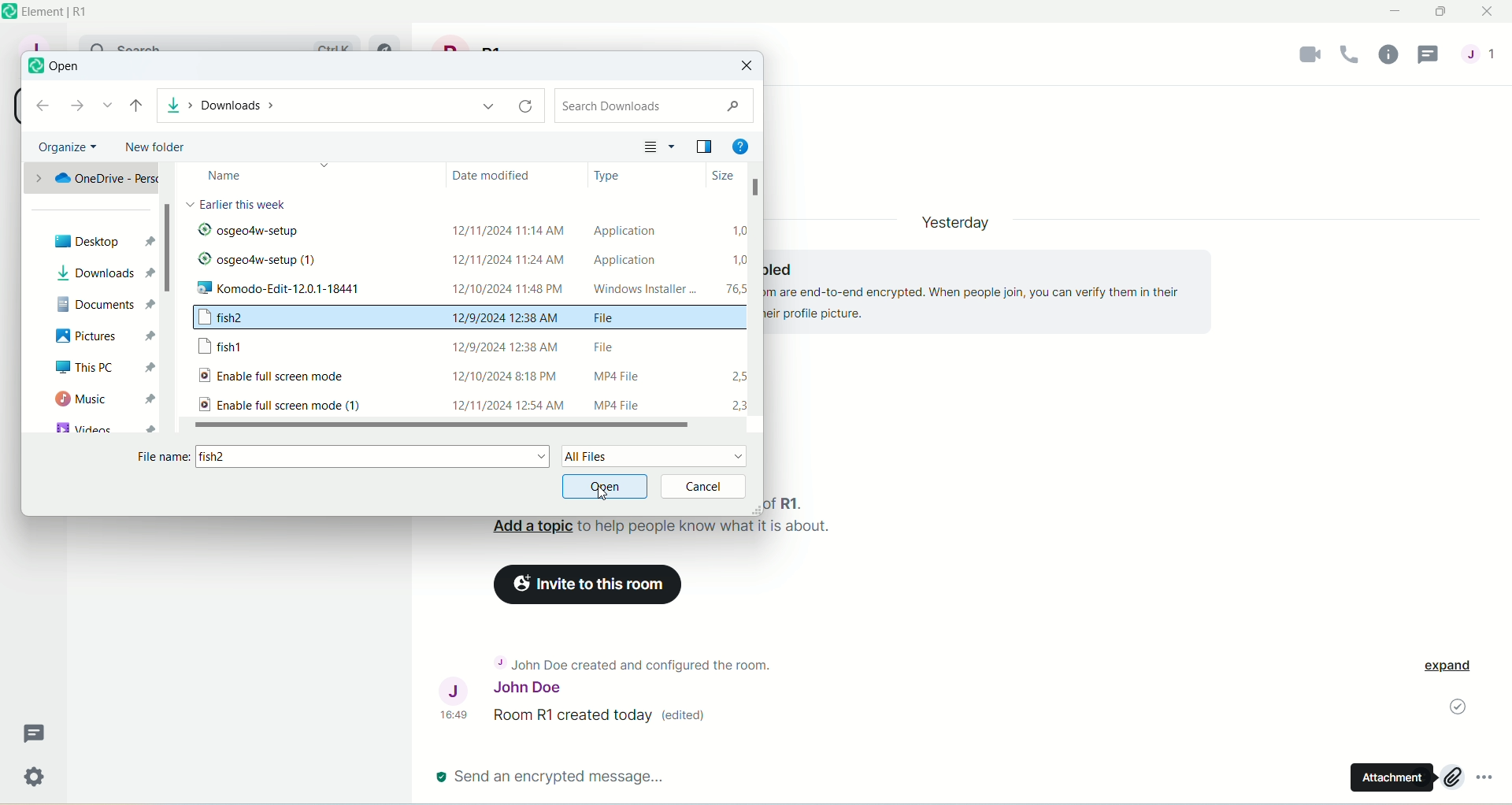 The width and height of the screenshot is (1512, 805). Describe the element at coordinates (1303, 57) in the screenshot. I see `video call` at that location.